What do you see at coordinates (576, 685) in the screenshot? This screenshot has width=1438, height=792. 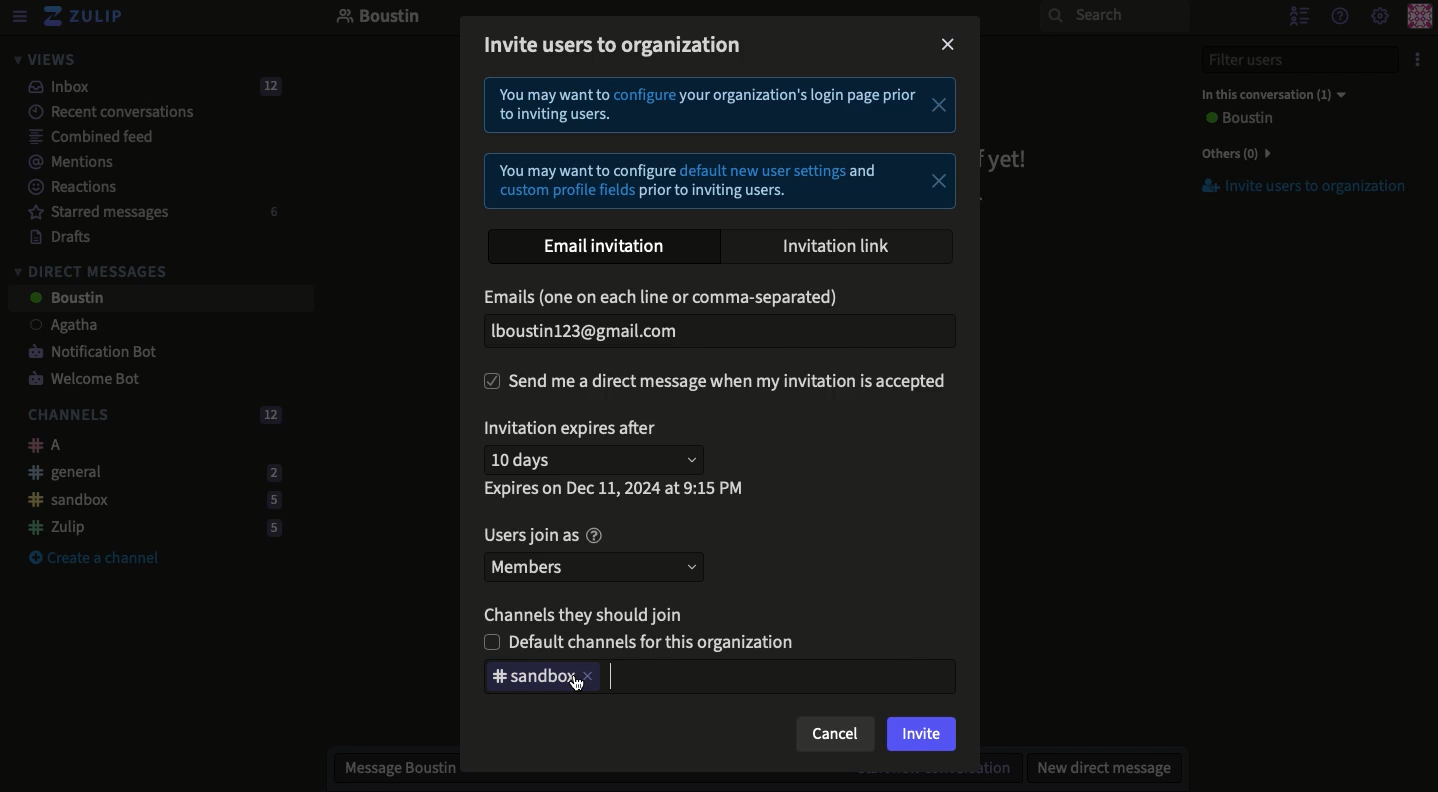 I see `cursor` at bounding box center [576, 685].